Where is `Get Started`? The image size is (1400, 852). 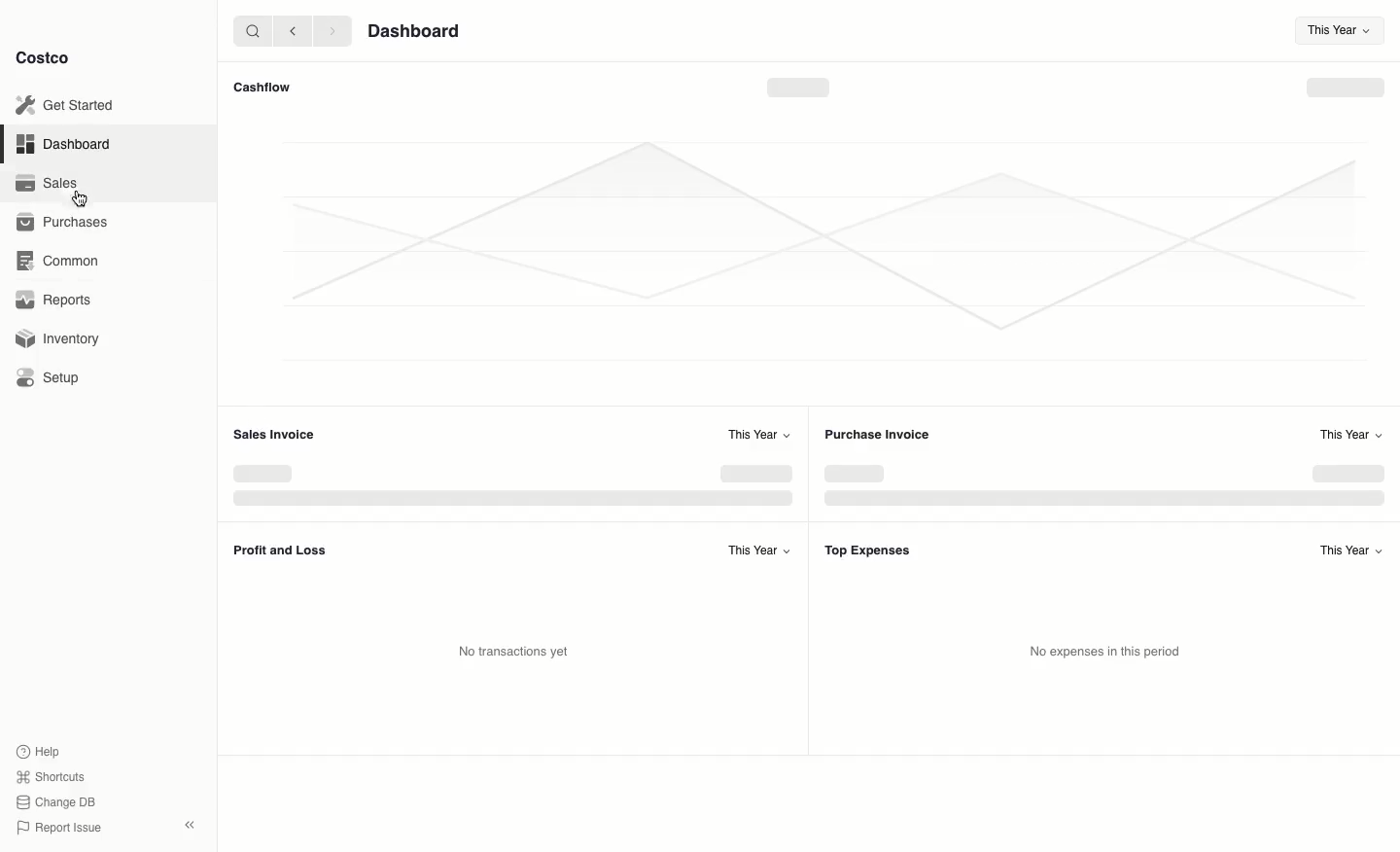
Get Started is located at coordinates (64, 104).